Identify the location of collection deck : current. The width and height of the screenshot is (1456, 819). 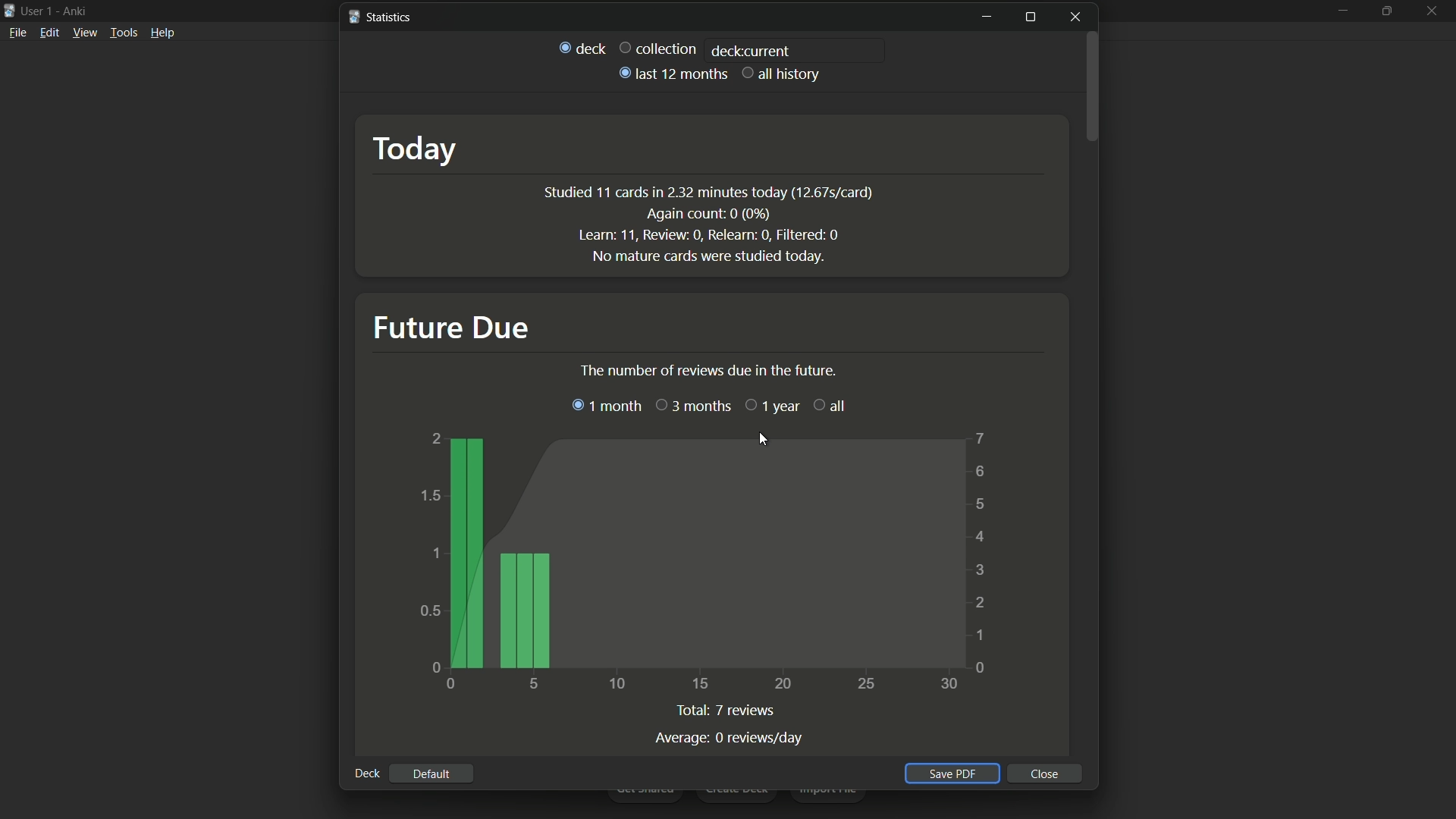
(703, 49).